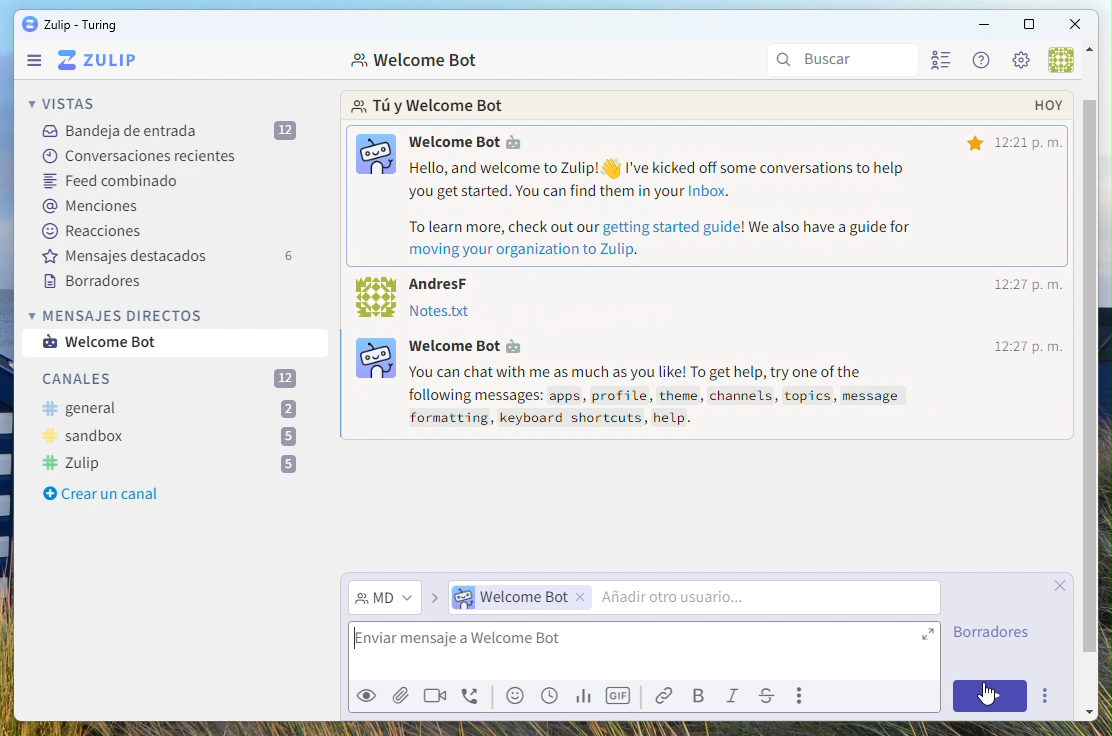 This screenshot has width=1112, height=736. I want to click on Zulip, so click(169, 464).